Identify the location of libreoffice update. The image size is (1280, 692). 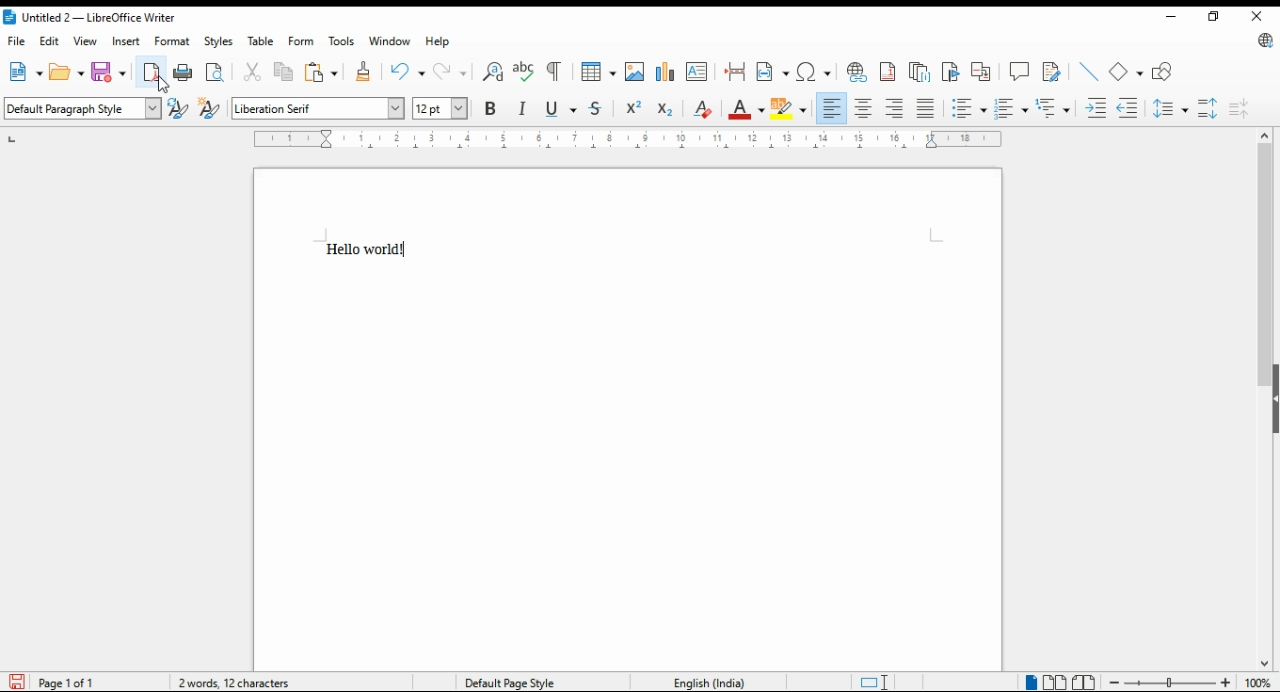
(1263, 42).